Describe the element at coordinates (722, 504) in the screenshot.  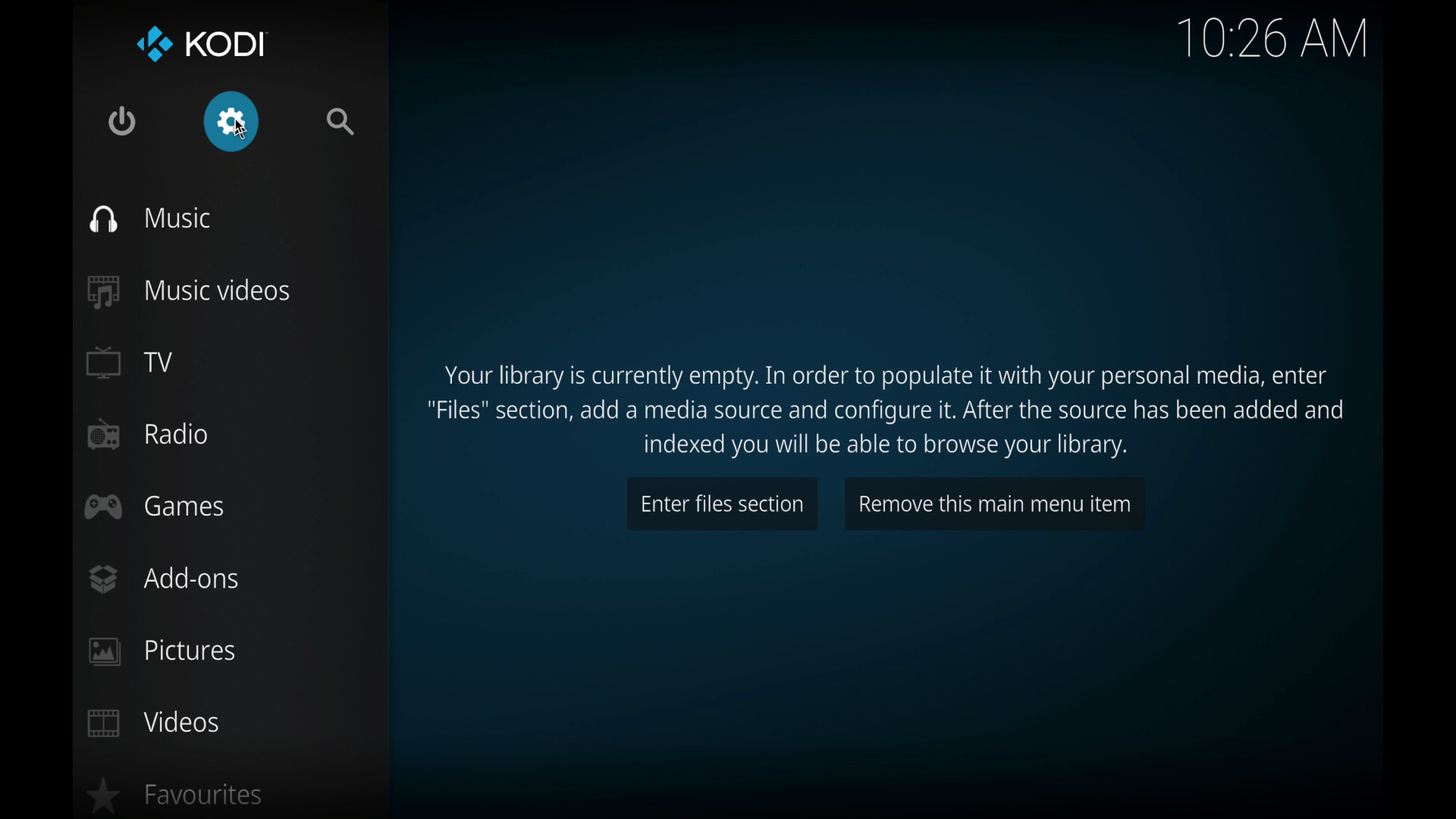
I see `enter files section` at that location.